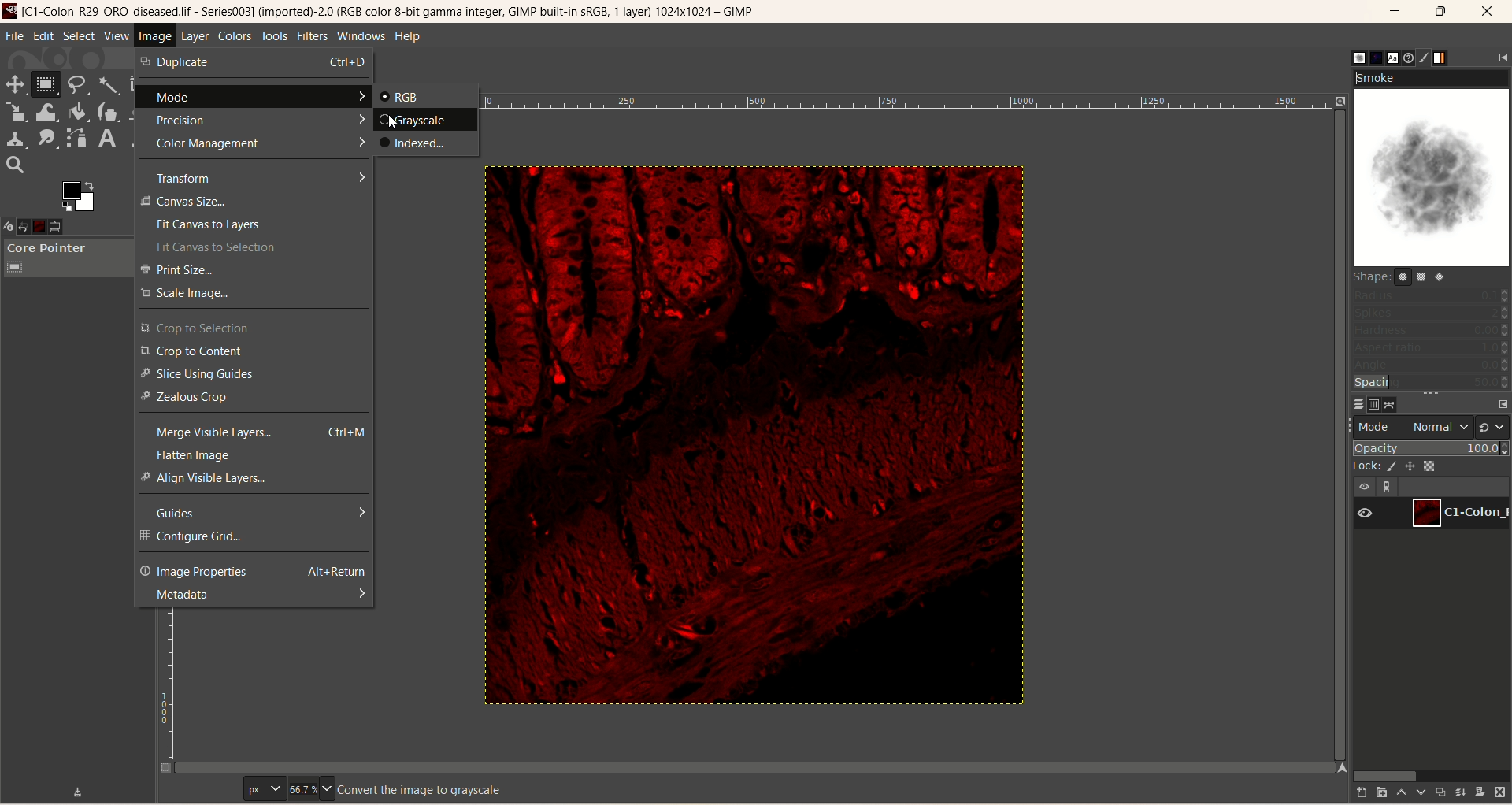 This screenshot has height=805, width=1512. Describe the element at coordinates (1382, 793) in the screenshot. I see `create a new layer and add it to image` at that location.